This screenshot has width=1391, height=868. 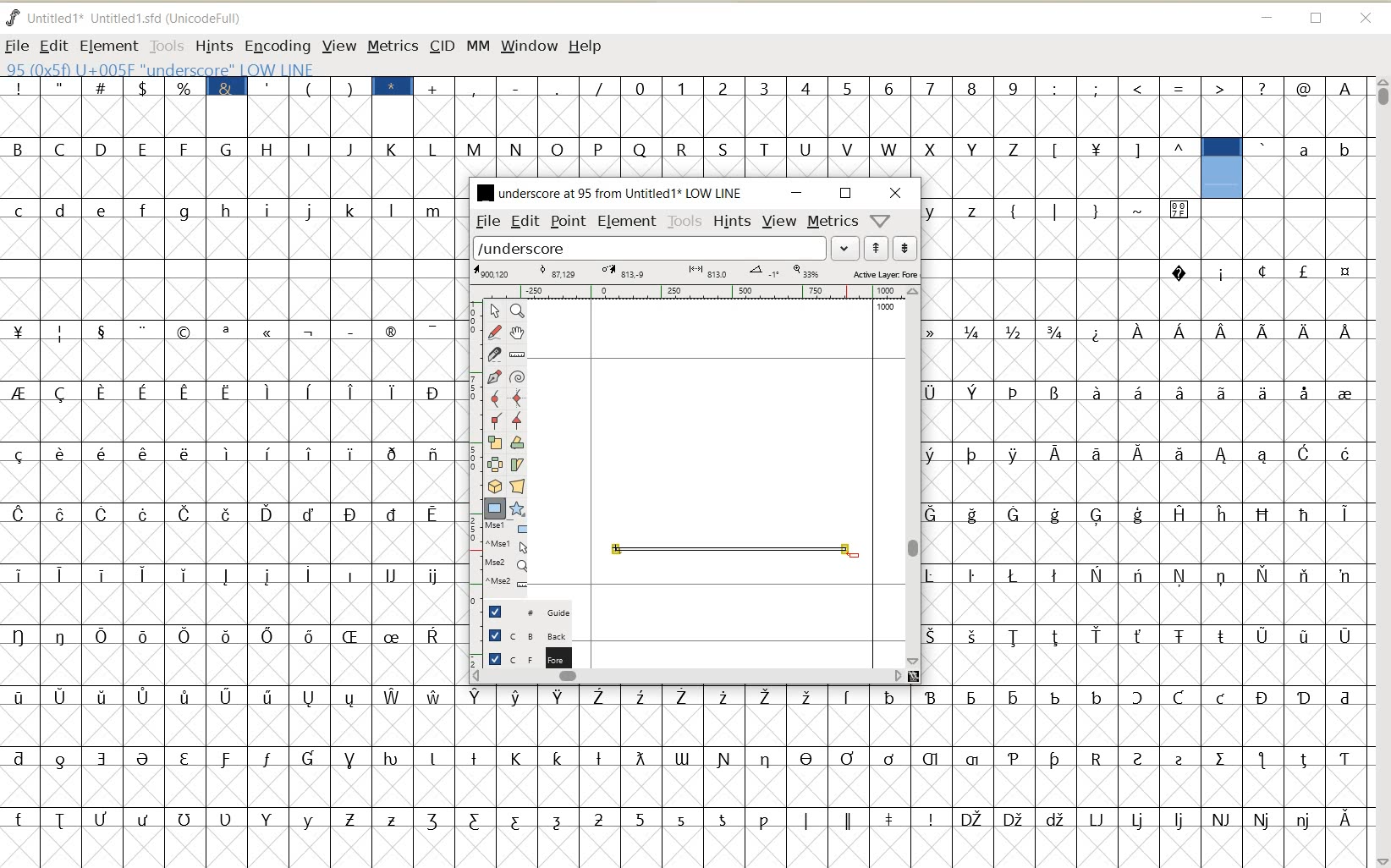 What do you see at coordinates (213, 46) in the screenshot?
I see `HINTS` at bounding box center [213, 46].